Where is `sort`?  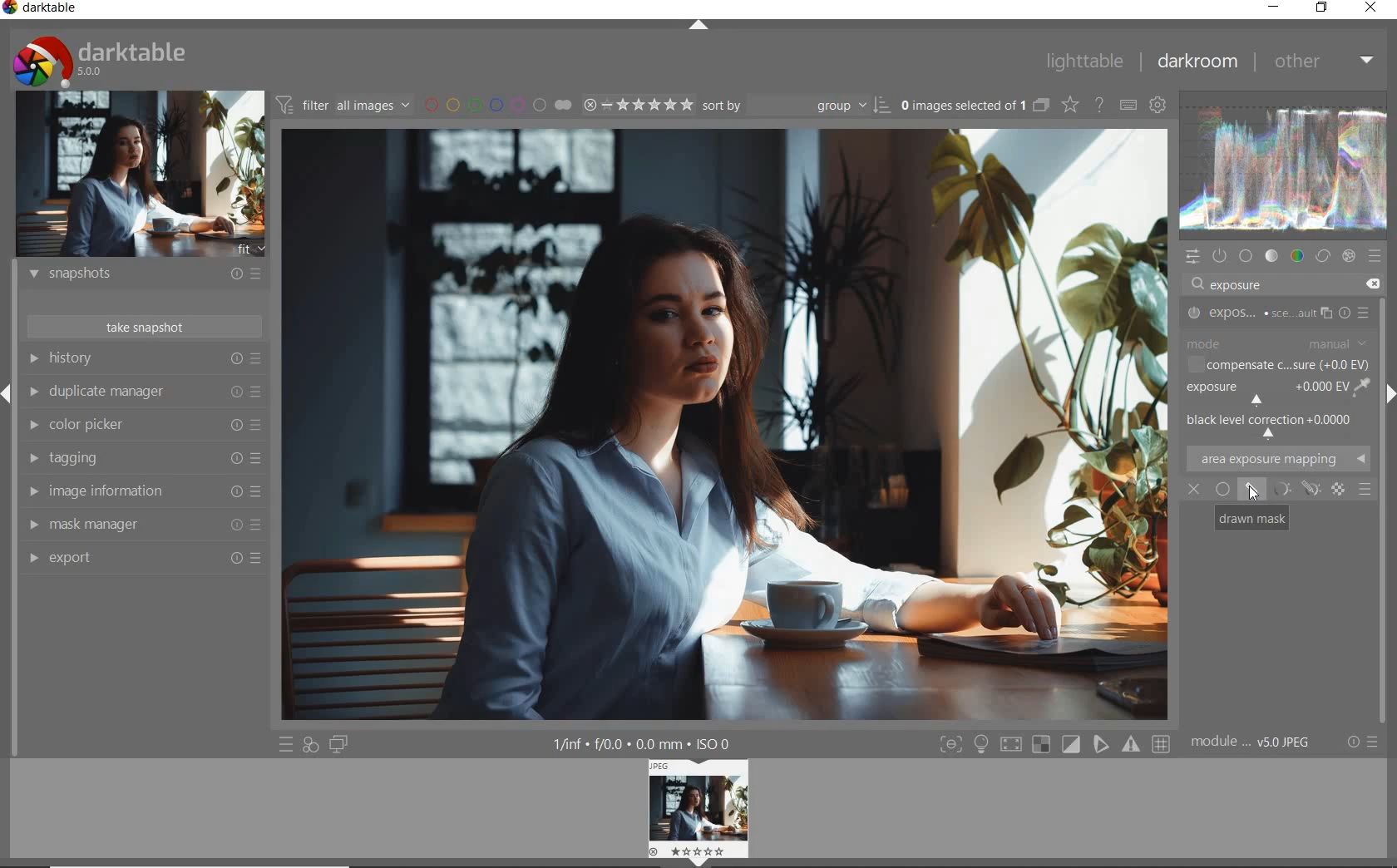
sort is located at coordinates (793, 106).